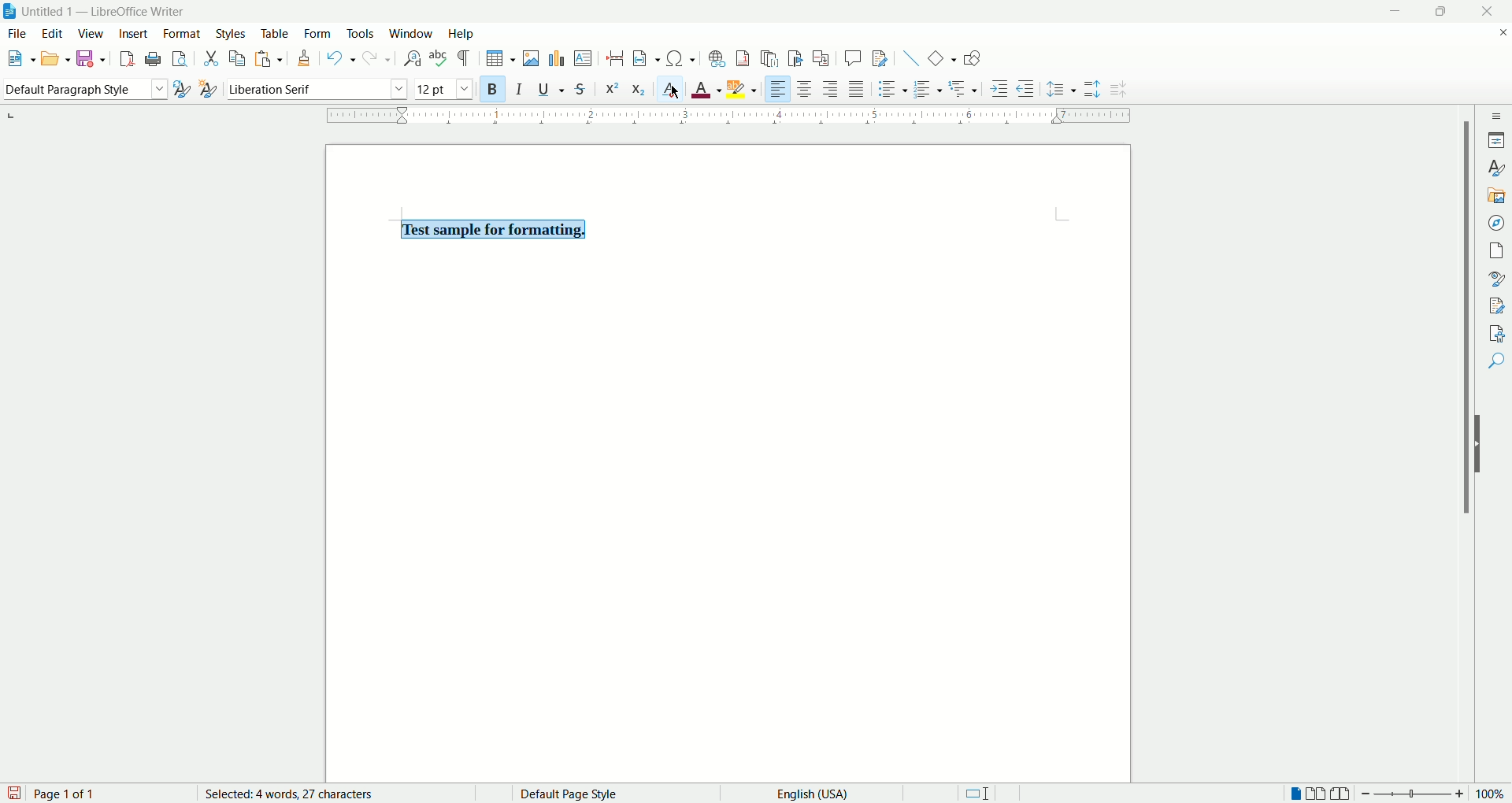  What do you see at coordinates (270, 60) in the screenshot?
I see `paste` at bounding box center [270, 60].